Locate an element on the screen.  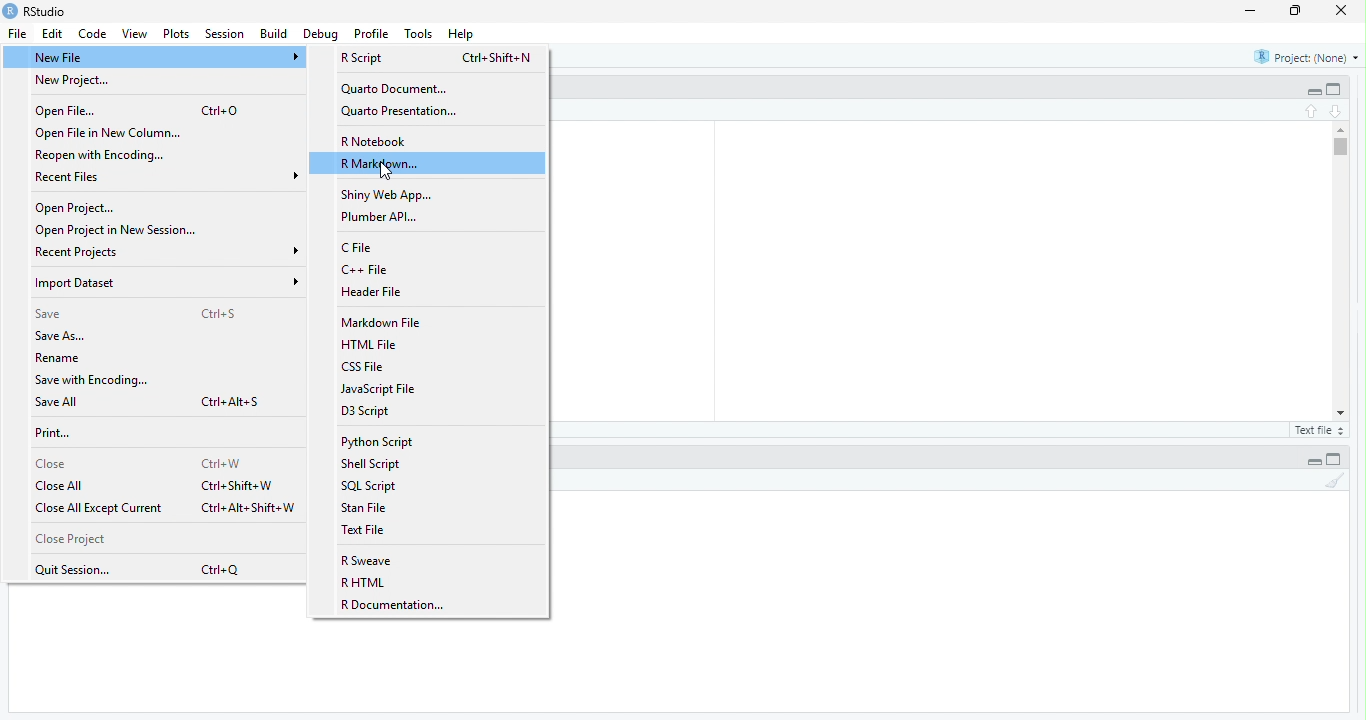
‘Quarto Document... is located at coordinates (394, 90).